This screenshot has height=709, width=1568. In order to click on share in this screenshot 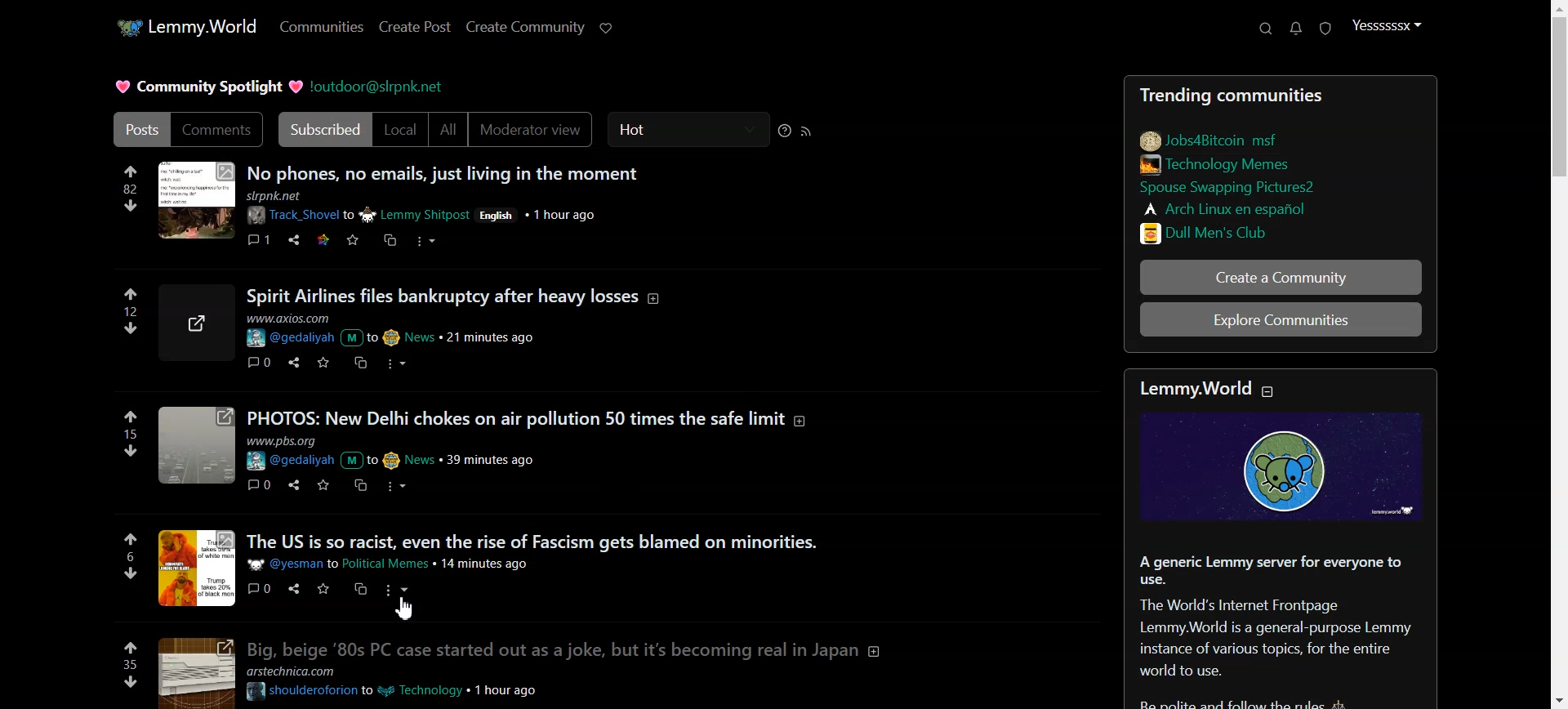, I will do `click(291, 361)`.